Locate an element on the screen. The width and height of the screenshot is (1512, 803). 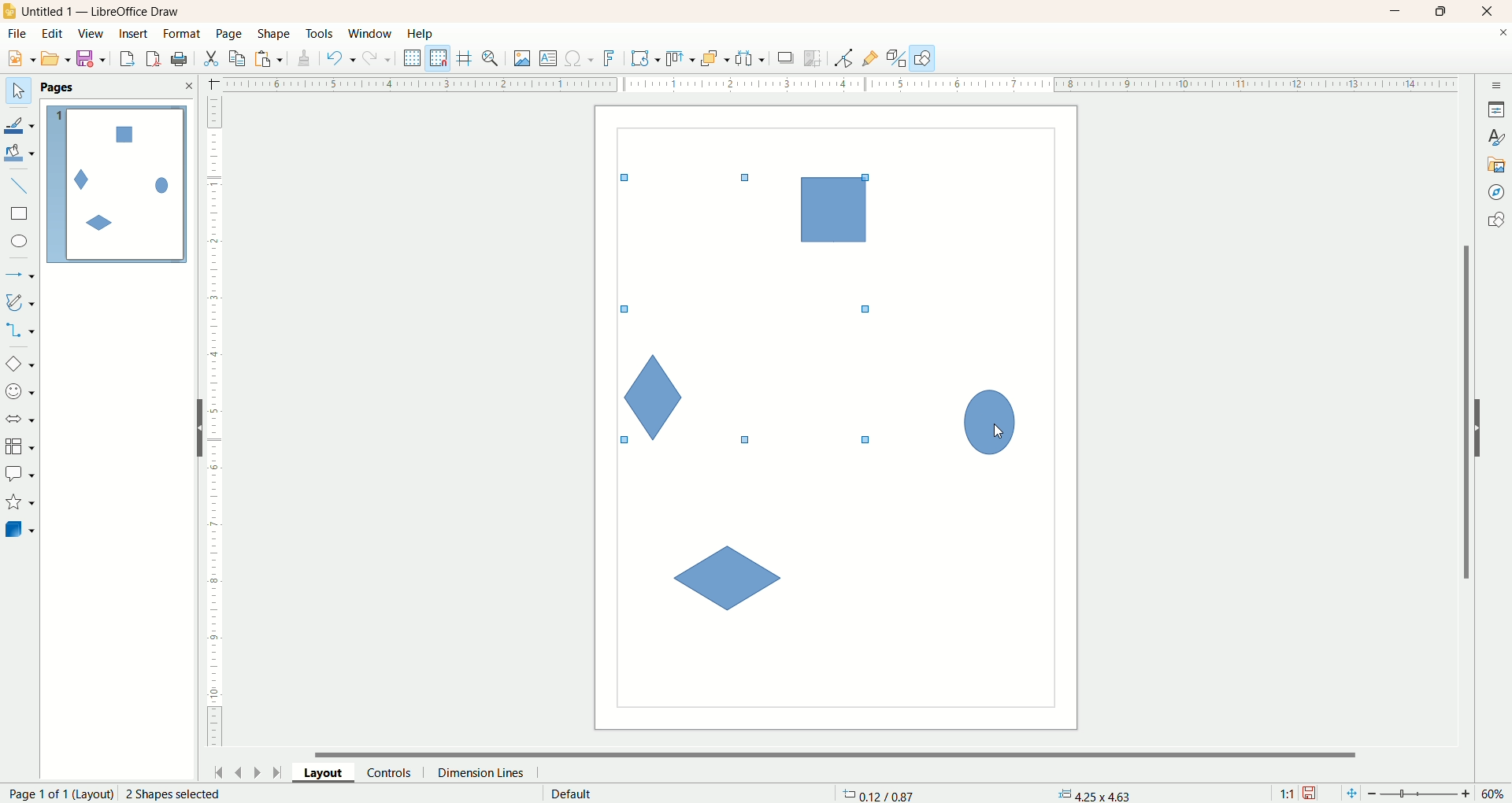
save is located at coordinates (1311, 794).